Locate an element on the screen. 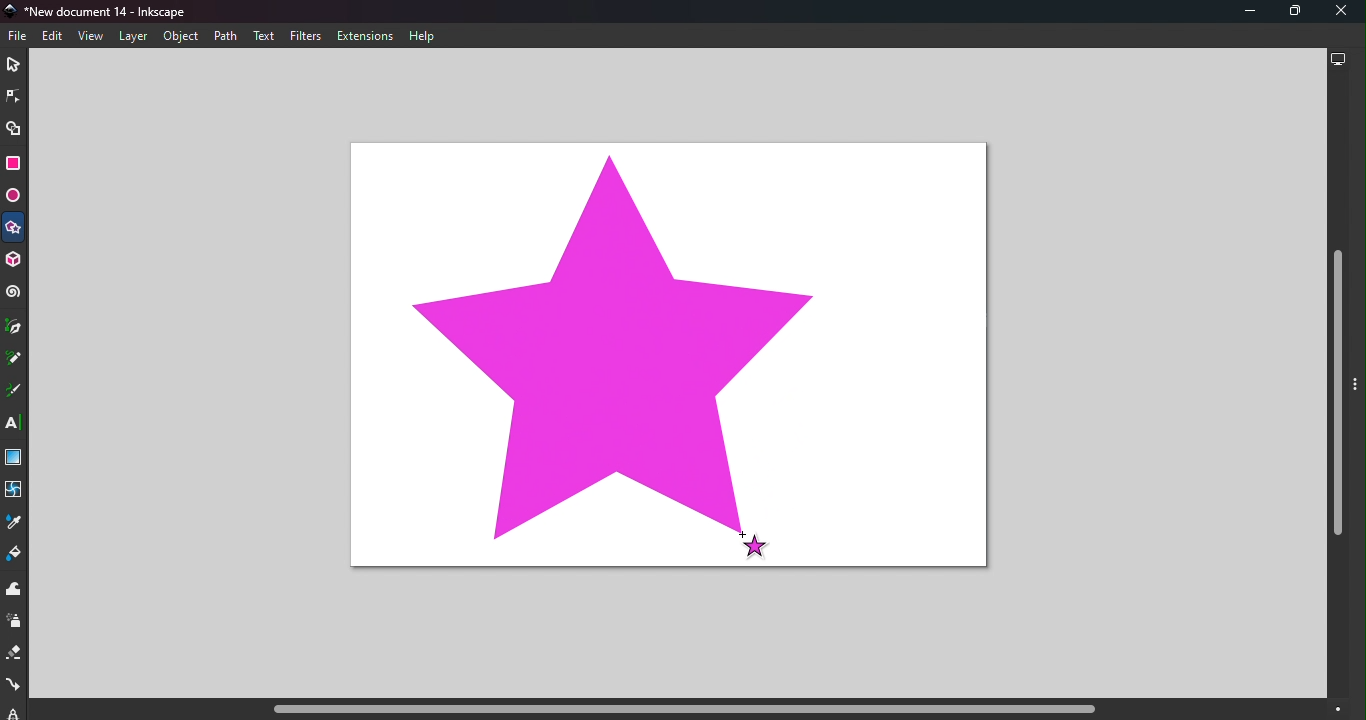  Horizontal scroll bar is located at coordinates (676, 710).